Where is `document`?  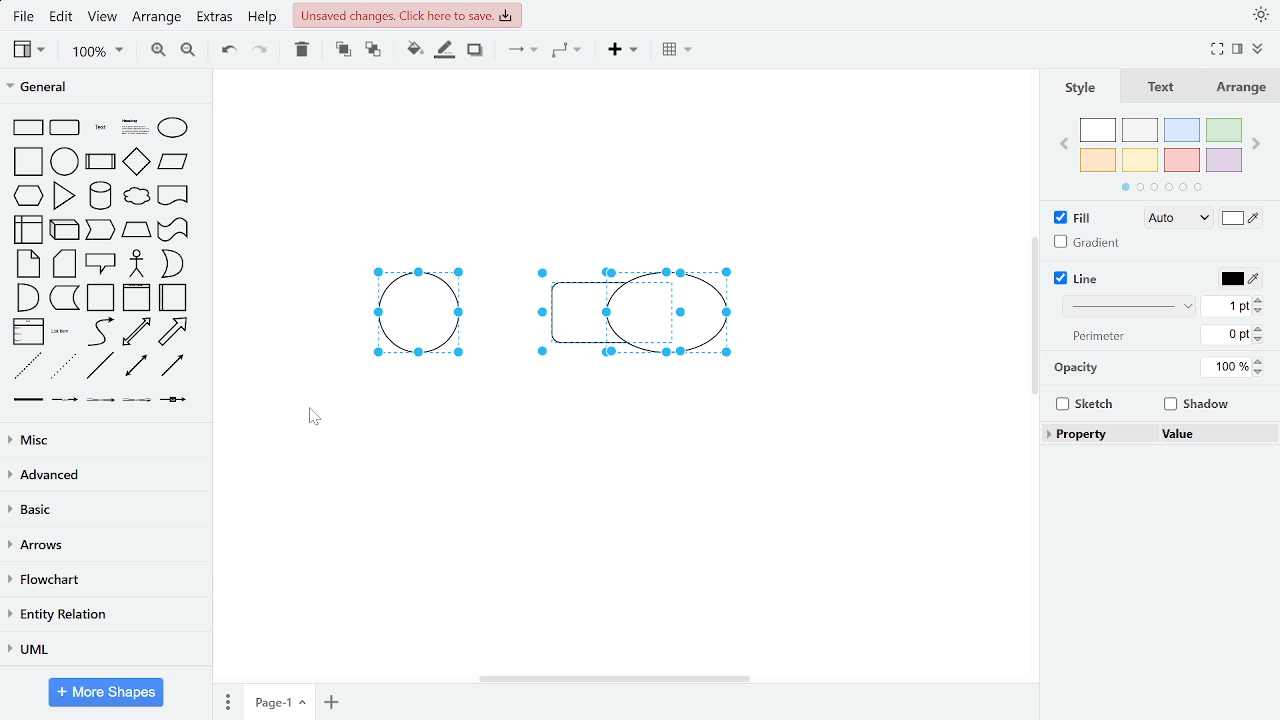 document is located at coordinates (174, 195).